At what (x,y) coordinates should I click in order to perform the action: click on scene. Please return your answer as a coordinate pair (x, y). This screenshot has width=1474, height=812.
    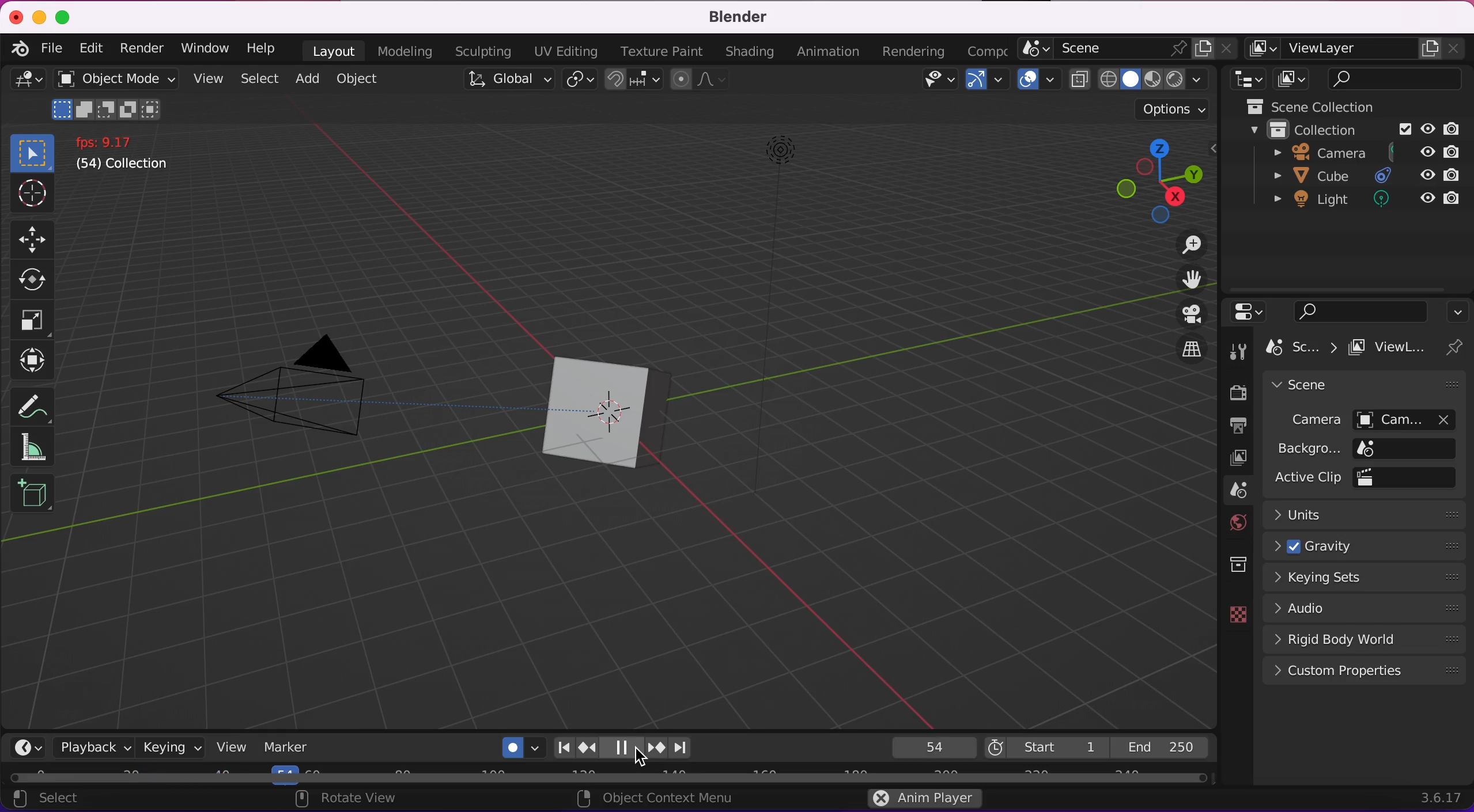
    Looking at the image, I should click on (1299, 348).